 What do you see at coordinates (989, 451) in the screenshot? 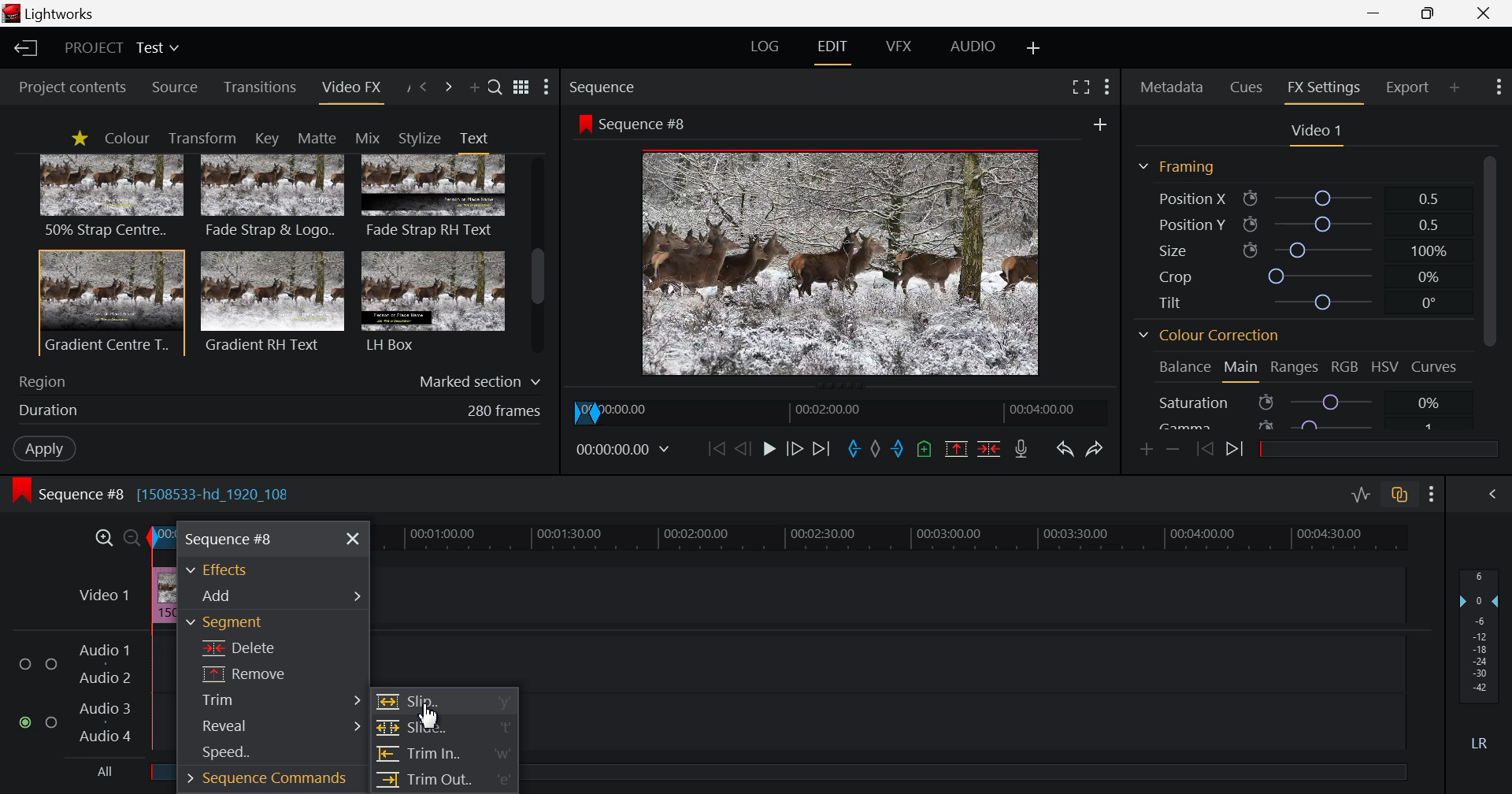
I see `Delete/Cut` at bounding box center [989, 451].